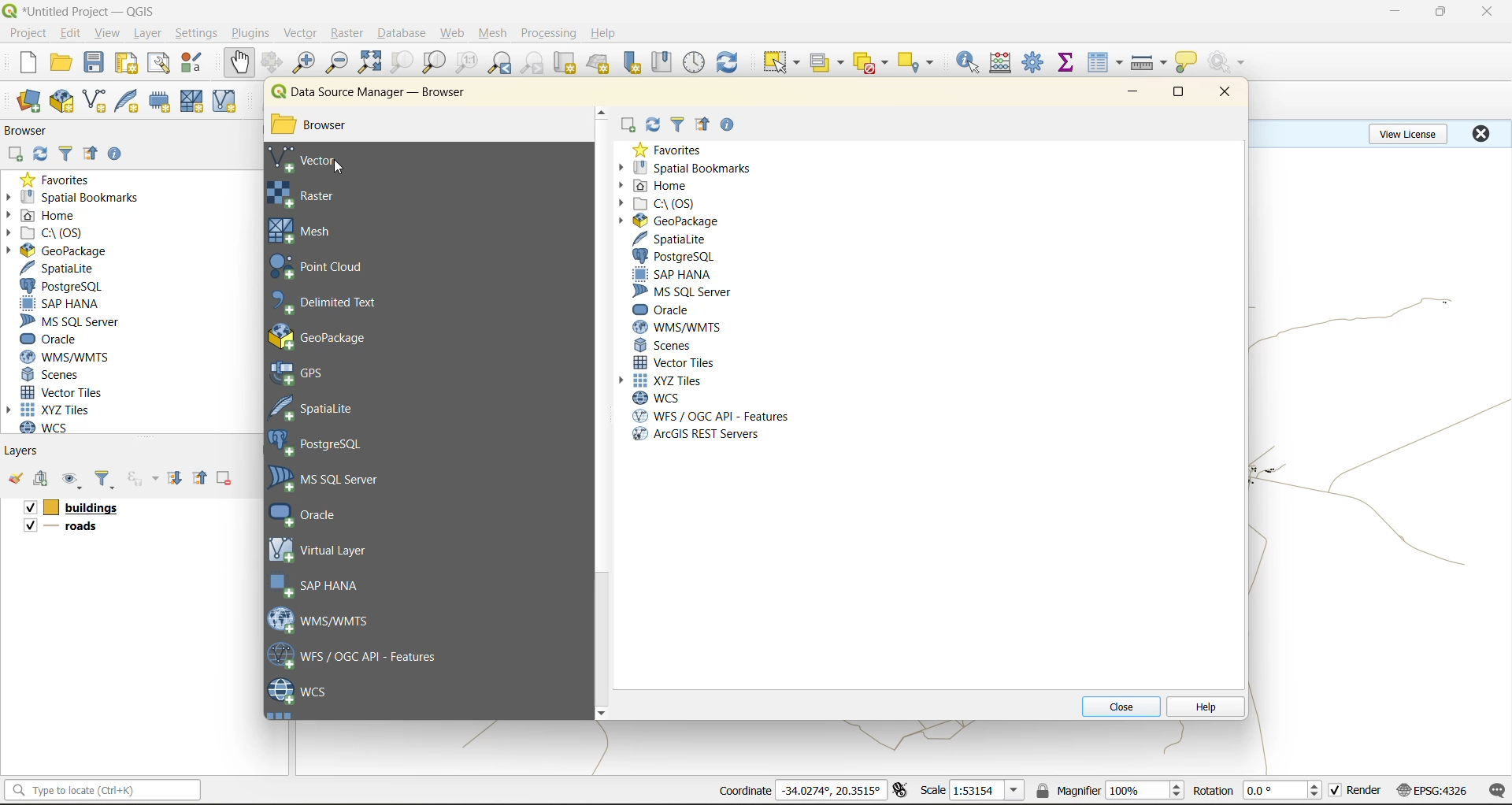  Describe the element at coordinates (744, 791) in the screenshot. I see `coordinates` at that location.